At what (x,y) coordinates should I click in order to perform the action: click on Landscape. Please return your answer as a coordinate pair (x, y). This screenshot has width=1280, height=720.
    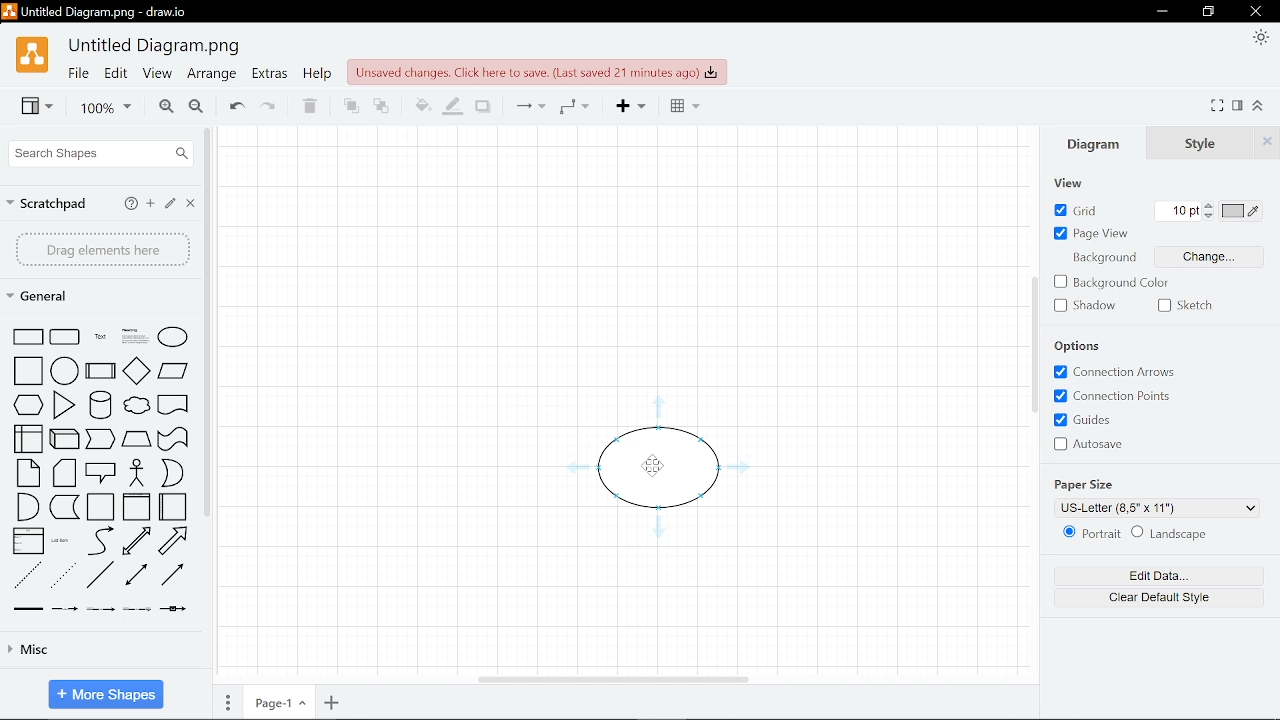
    Looking at the image, I should click on (1195, 532).